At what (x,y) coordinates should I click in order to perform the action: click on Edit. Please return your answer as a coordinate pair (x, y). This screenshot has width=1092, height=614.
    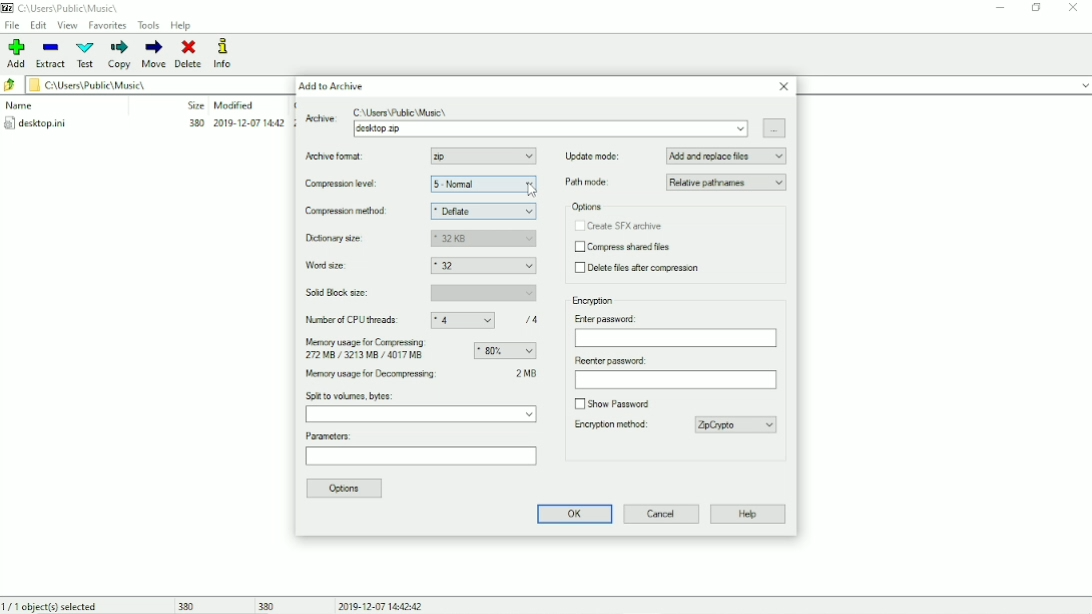
    Looking at the image, I should click on (39, 25).